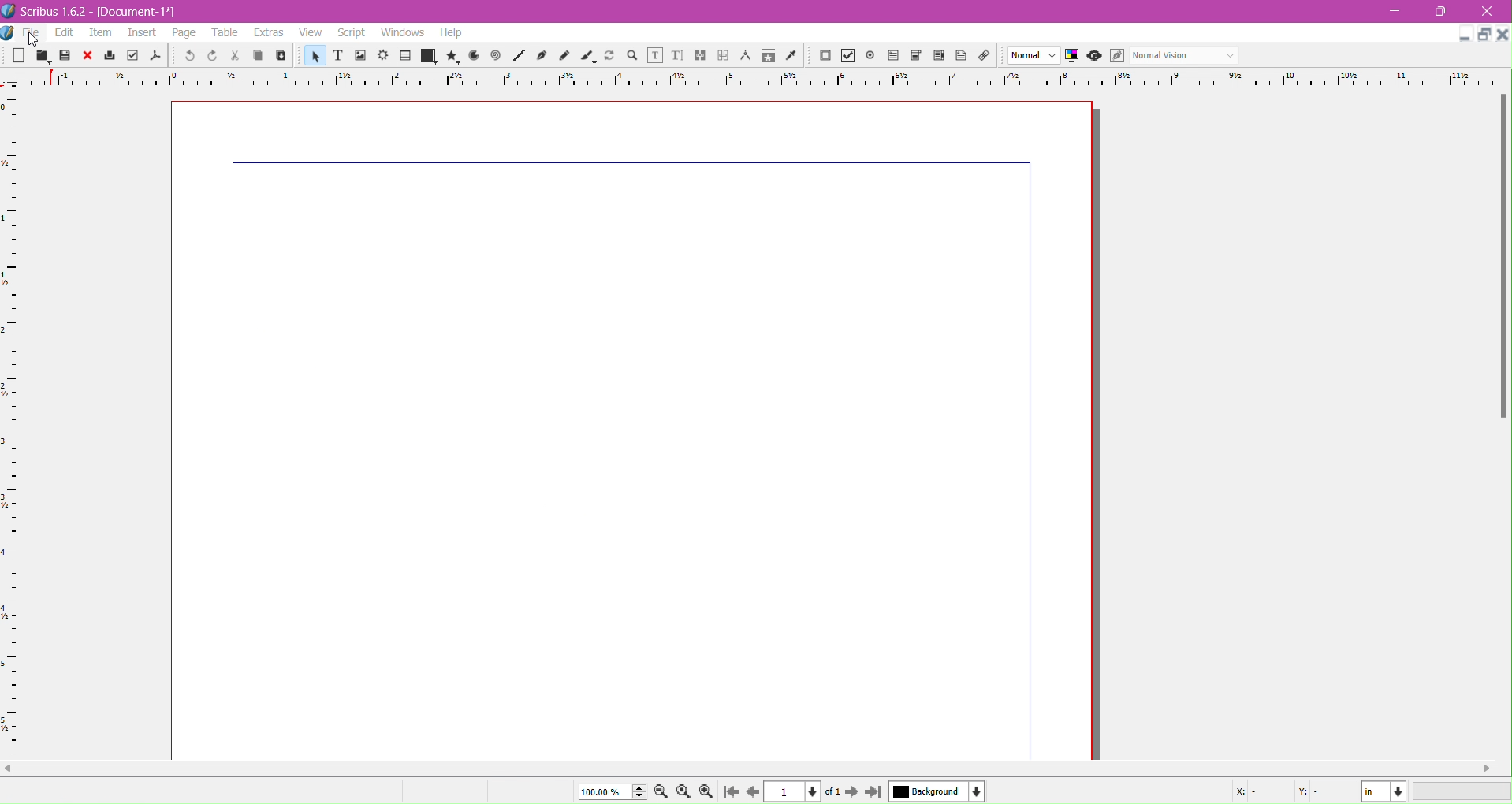 This screenshot has height=804, width=1512. Describe the element at coordinates (723, 56) in the screenshot. I see `unlink text frames` at that location.